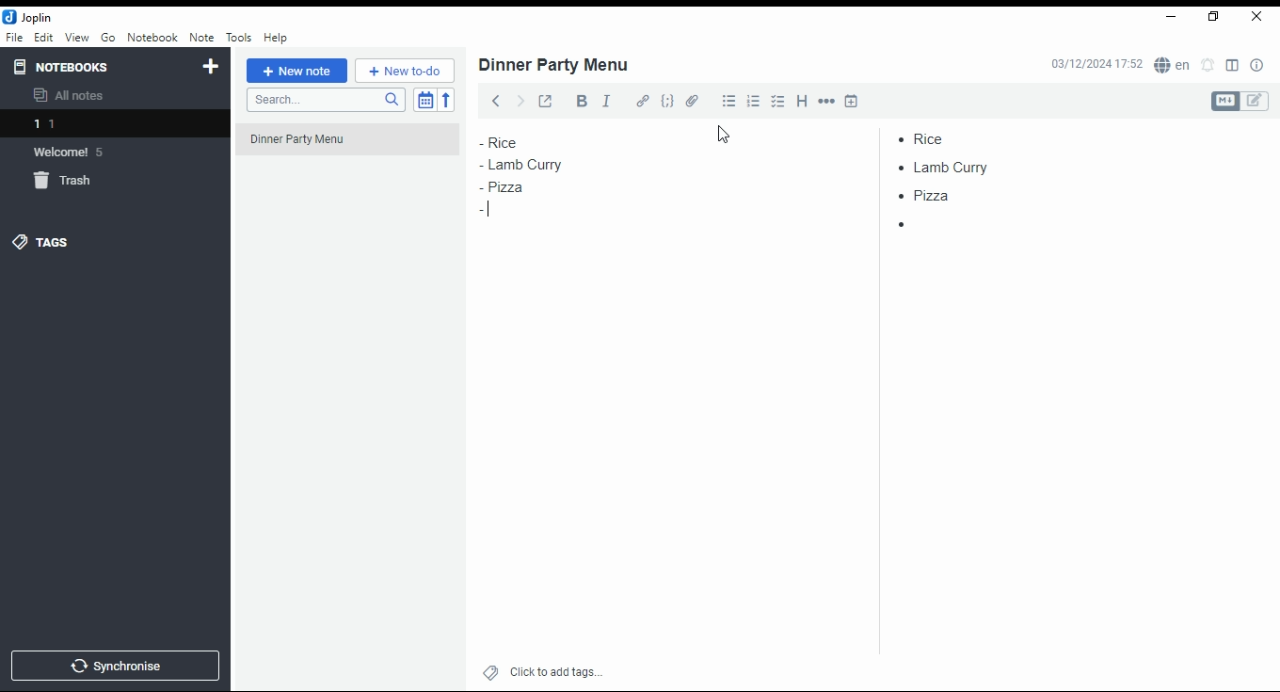 This screenshot has width=1280, height=692. What do you see at coordinates (1258, 65) in the screenshot?
I see `notes properties` at bounding box center [1258, 65].